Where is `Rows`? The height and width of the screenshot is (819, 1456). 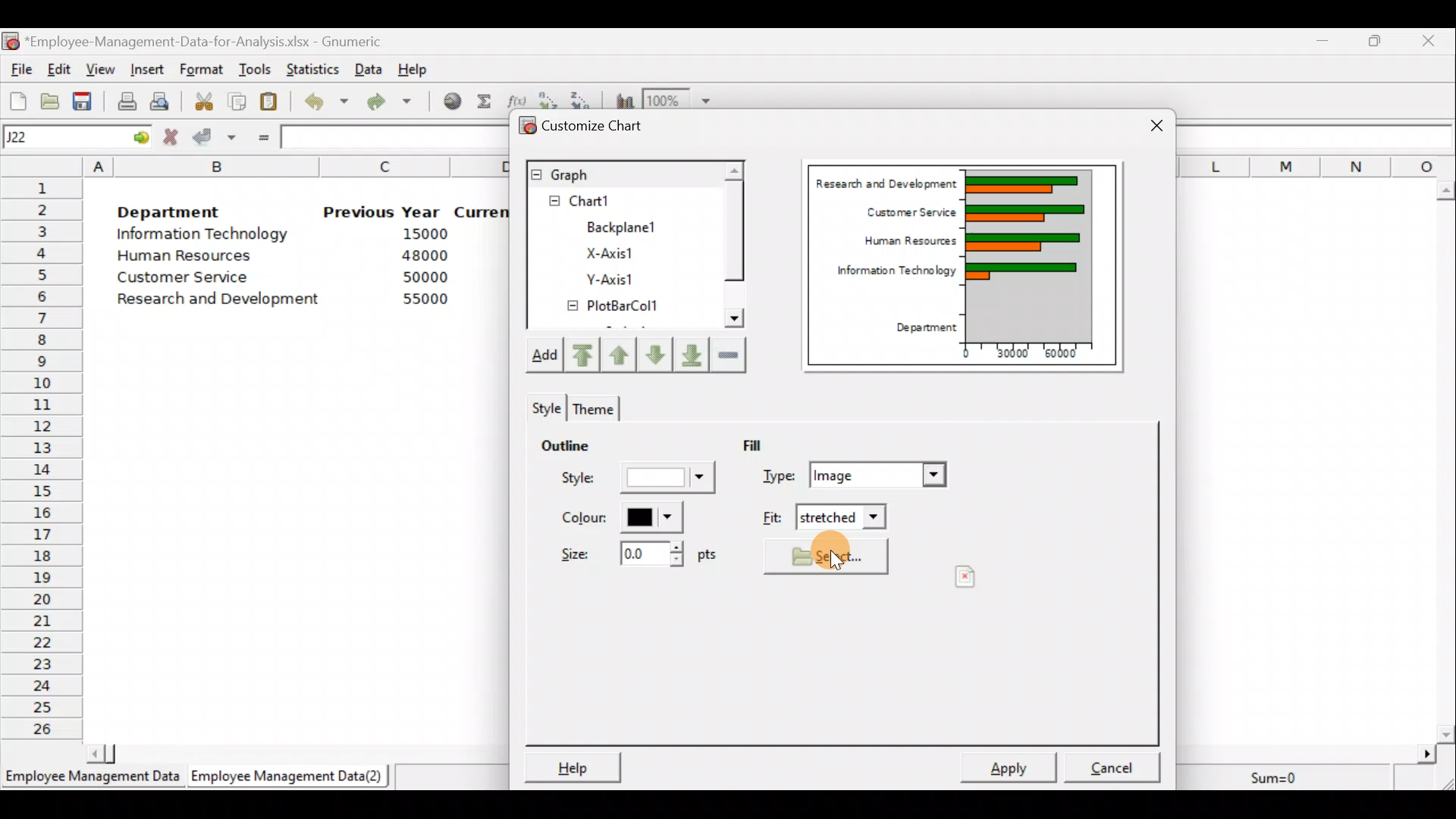 Rows is located at coordinates (42, 460).